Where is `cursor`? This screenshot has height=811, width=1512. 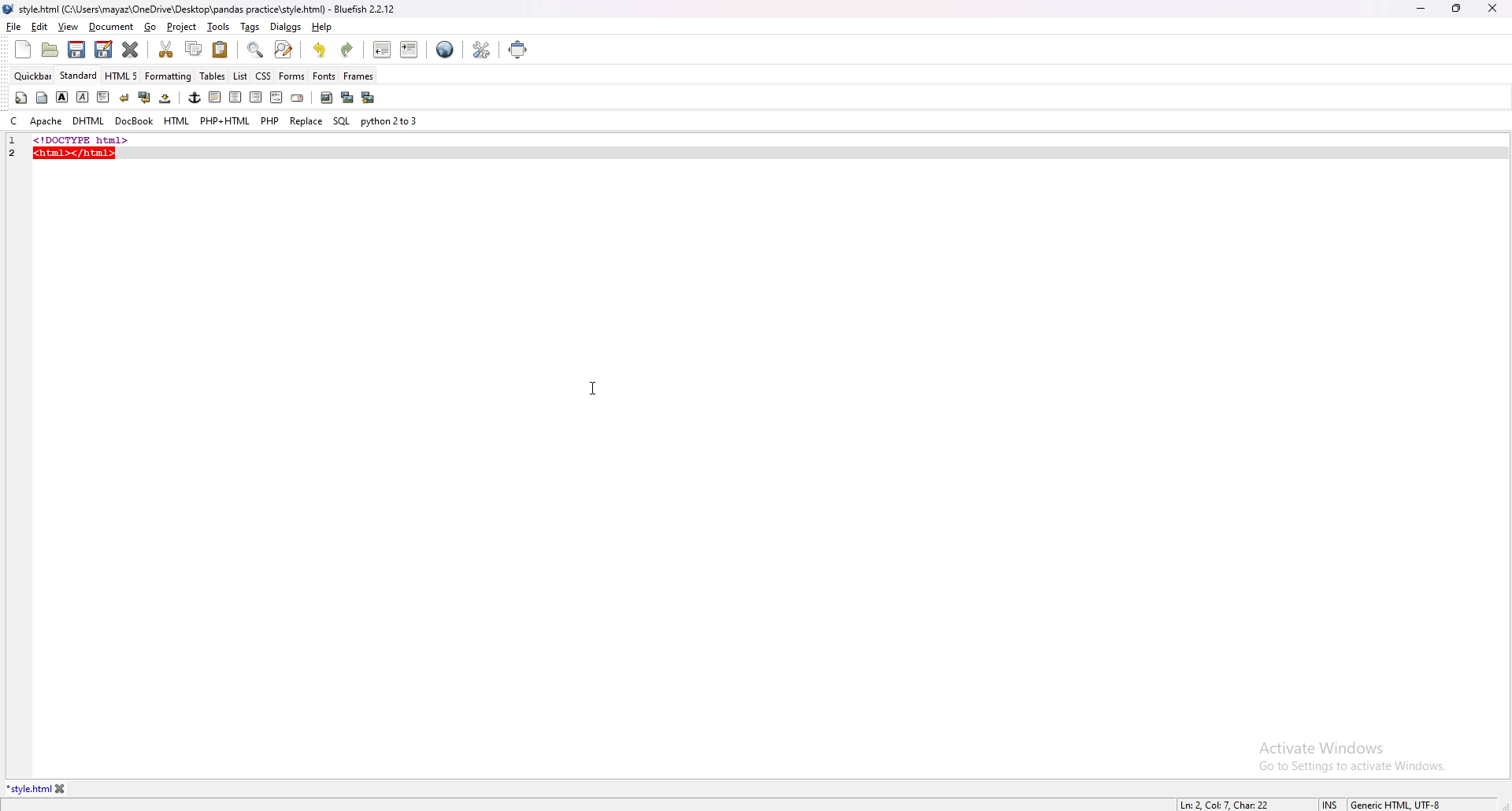
cursor is located at coordinates (592, 385).